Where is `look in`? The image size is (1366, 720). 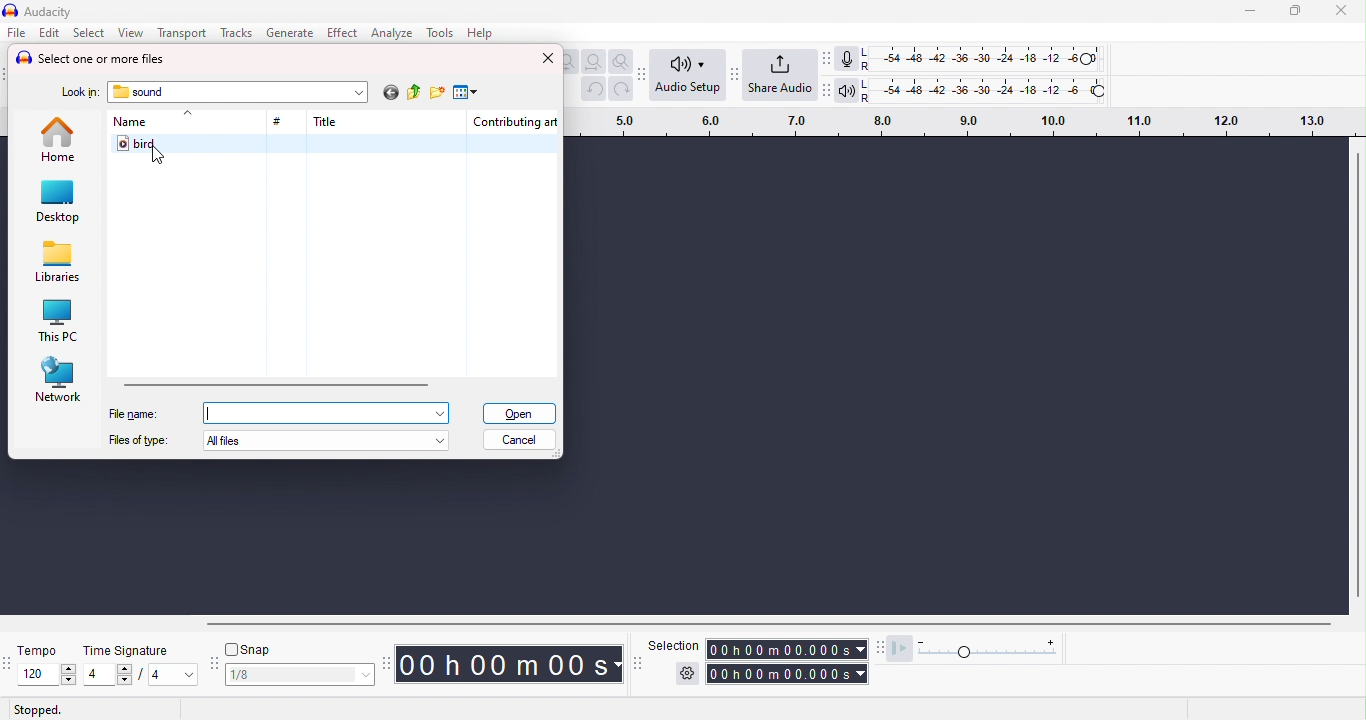 look in is located at coordinates (79, 94).